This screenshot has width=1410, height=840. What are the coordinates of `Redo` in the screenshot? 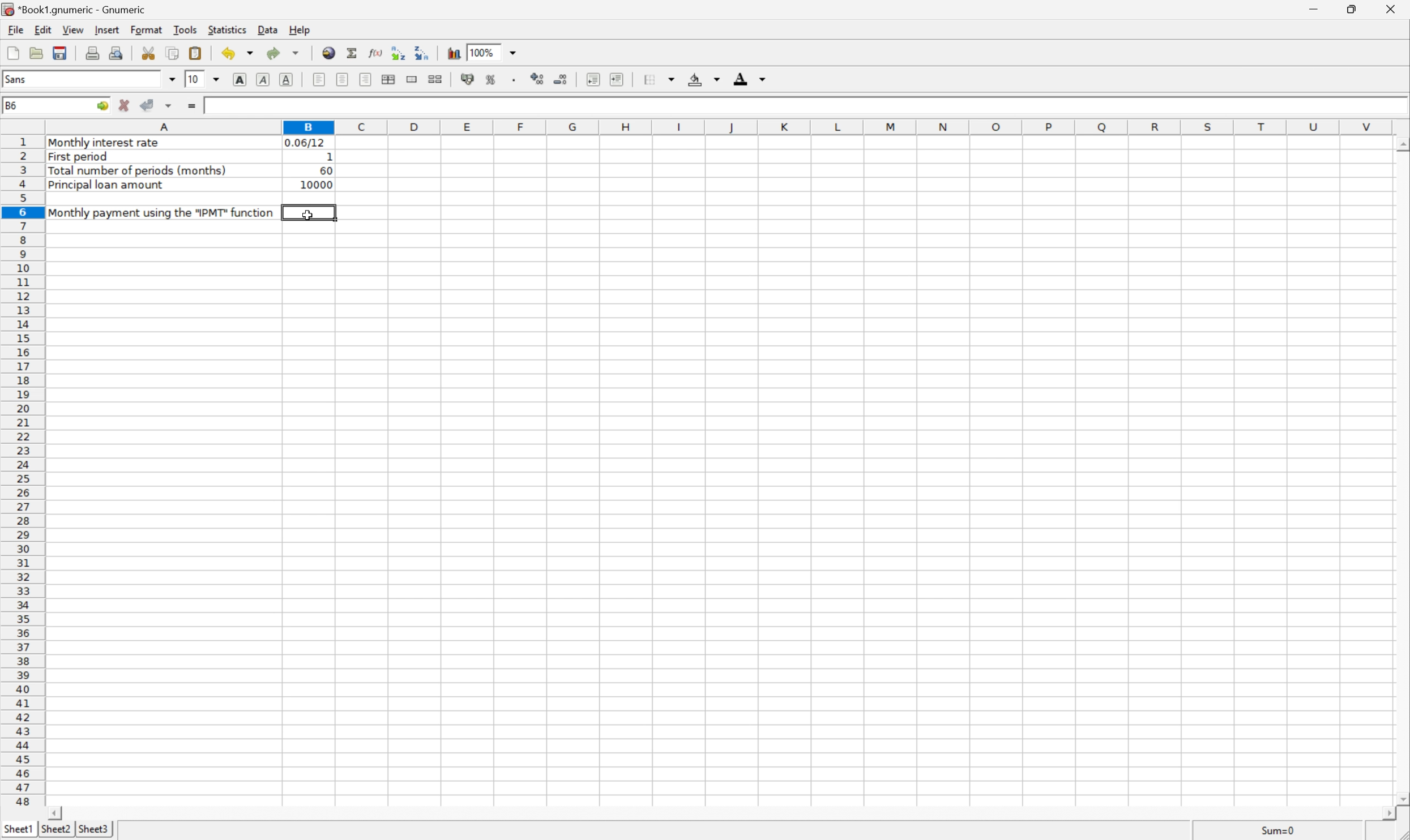 It's located at (284, 52).